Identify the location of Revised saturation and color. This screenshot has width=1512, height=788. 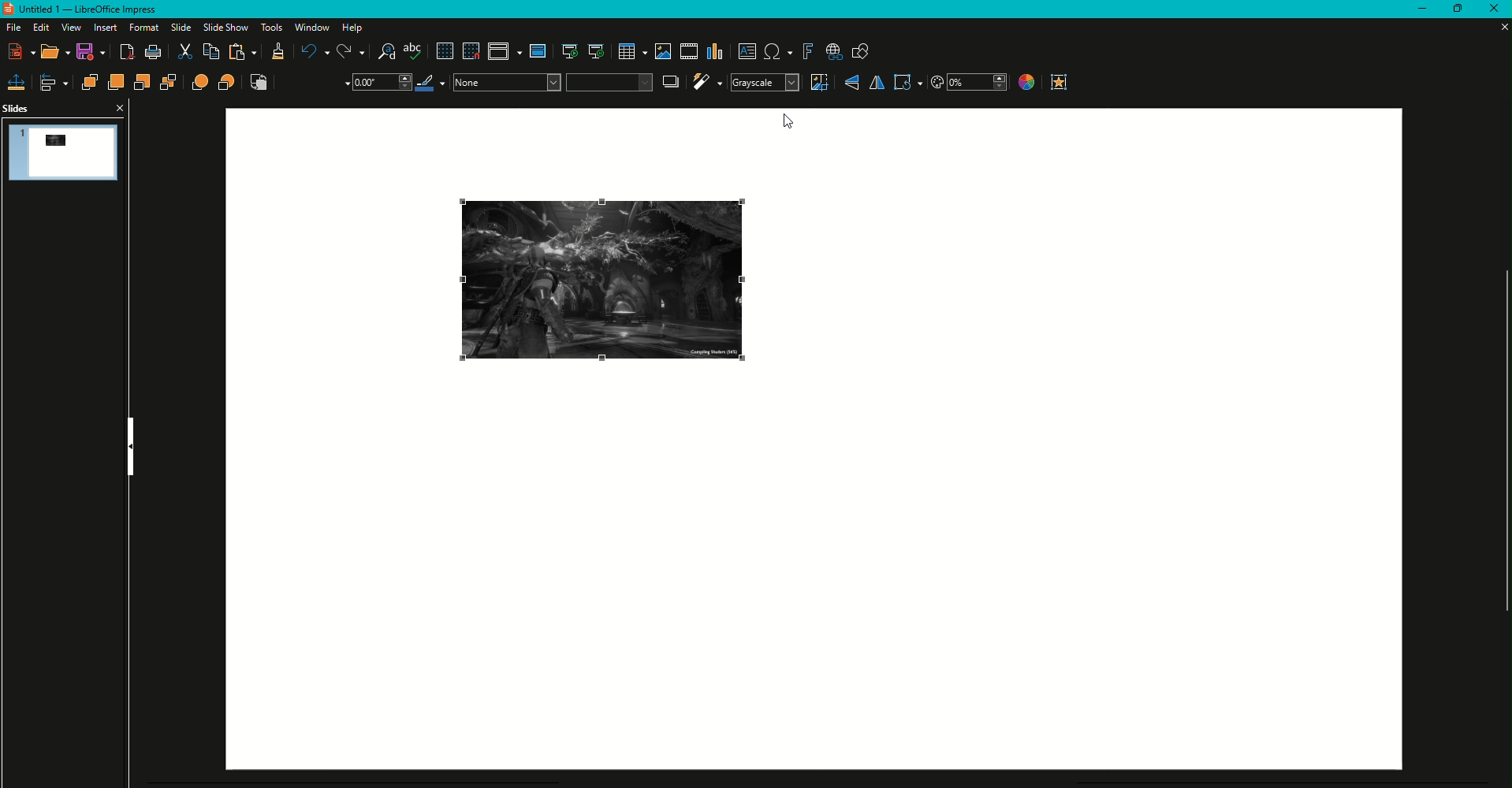
(604, 282).